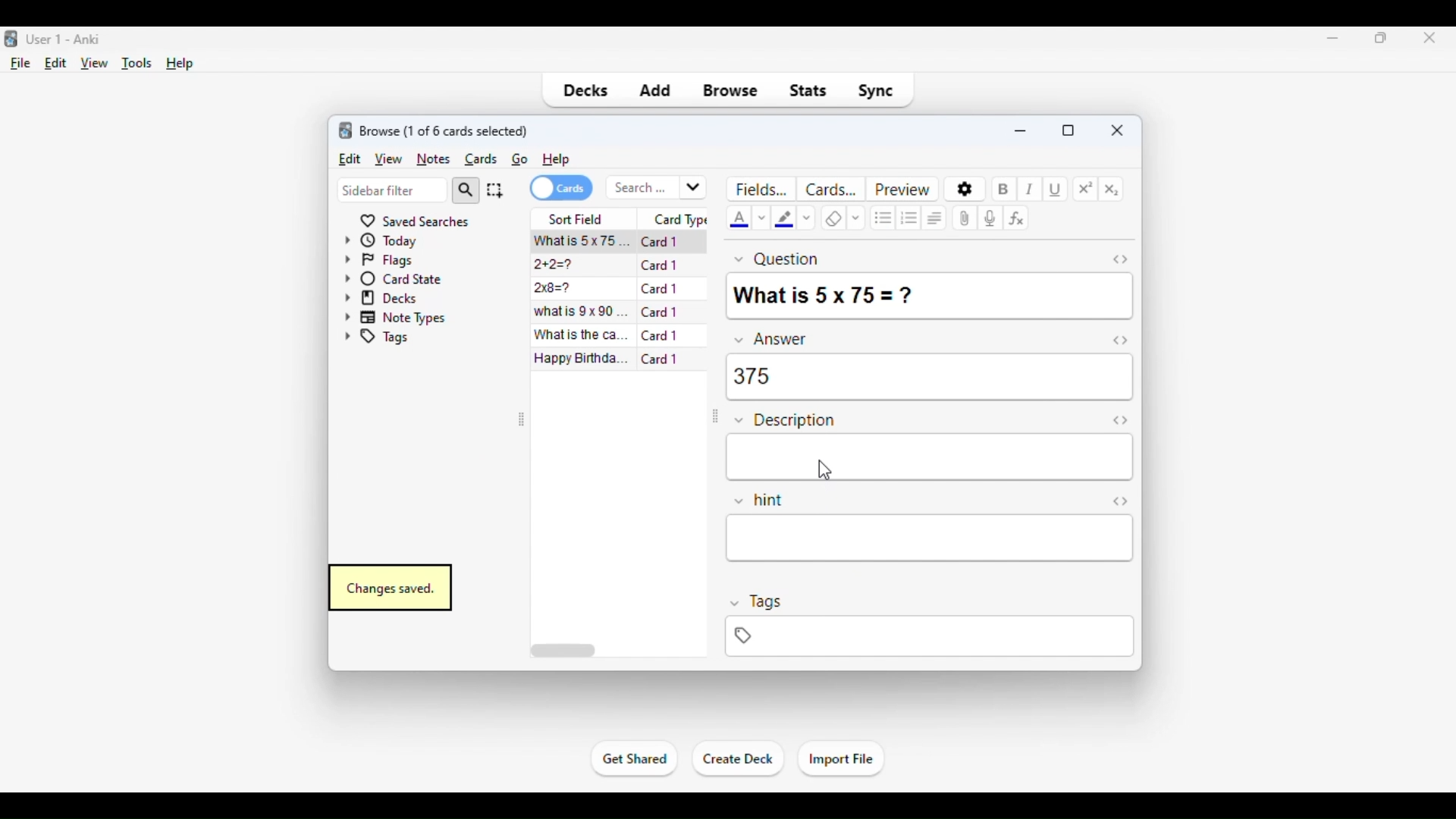 This screenshot has width=1456, height=819. I want to click on card 1, so click(660, 265).